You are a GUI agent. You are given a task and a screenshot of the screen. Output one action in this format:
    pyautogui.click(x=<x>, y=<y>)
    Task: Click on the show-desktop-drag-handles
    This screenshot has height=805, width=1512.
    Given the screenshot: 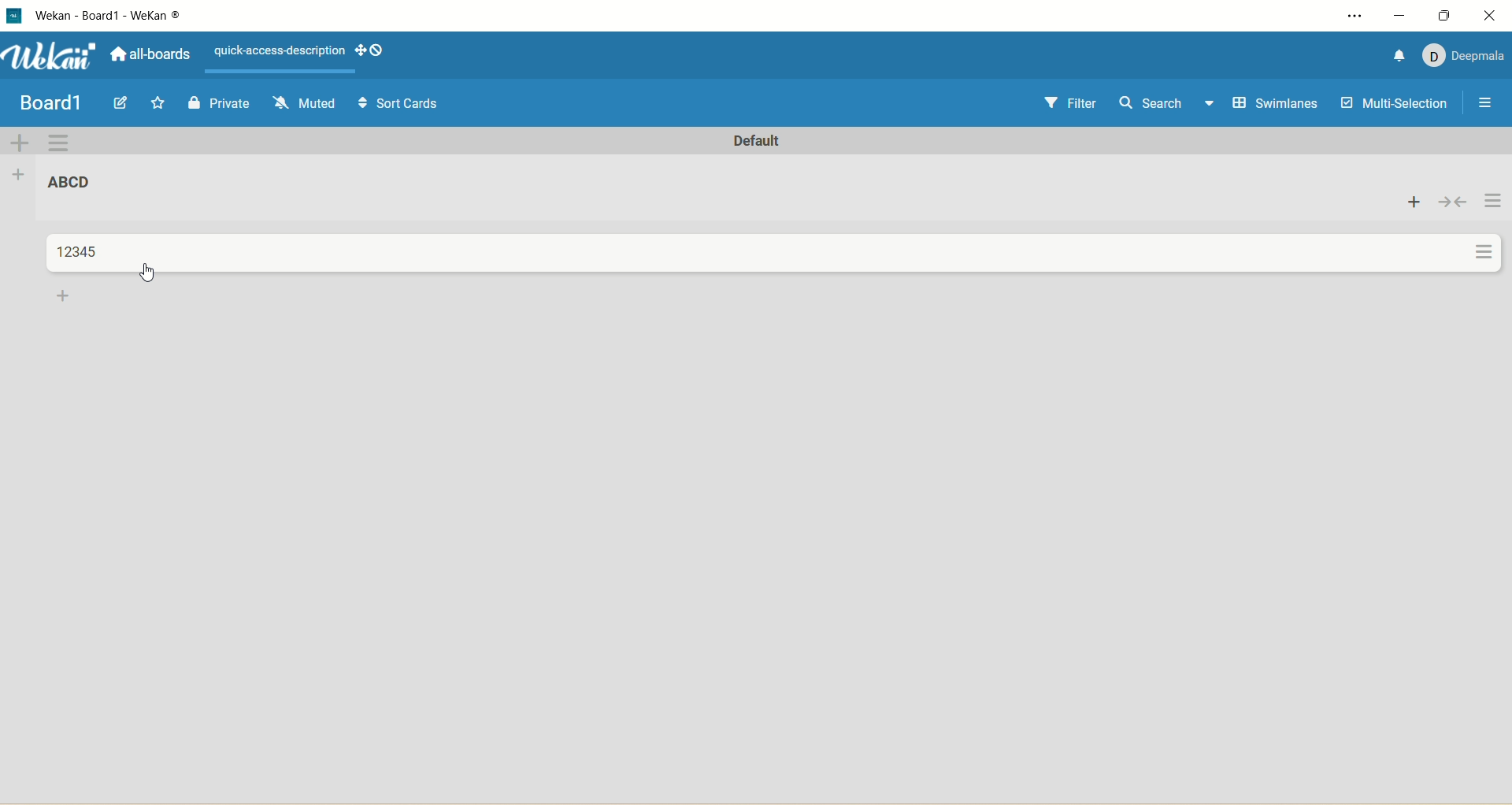 What is the action you would take?
    pyautogui.click(x=357, y=48)
    